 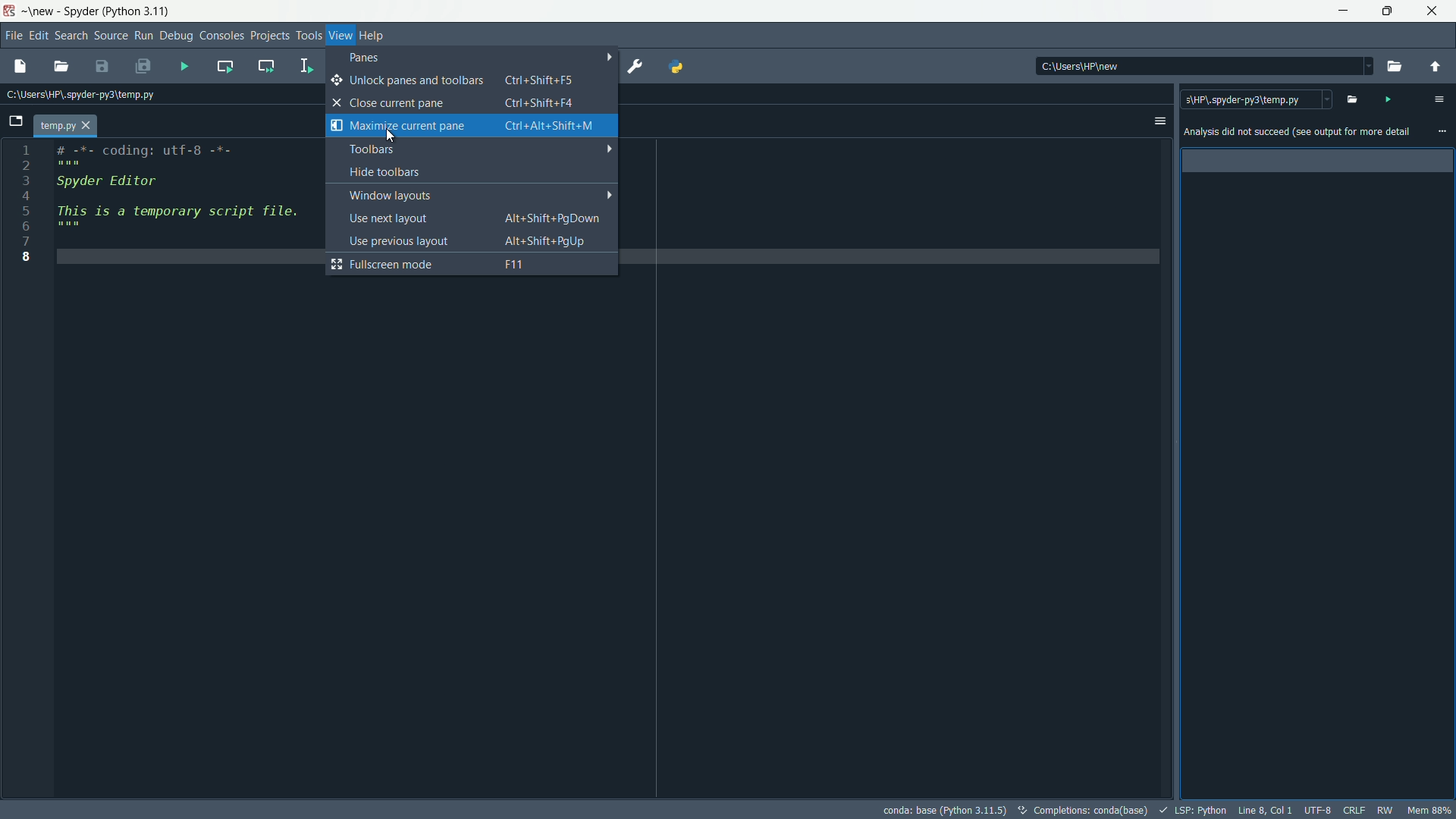 I want to click on python path manager, so click(x=676, y=67).